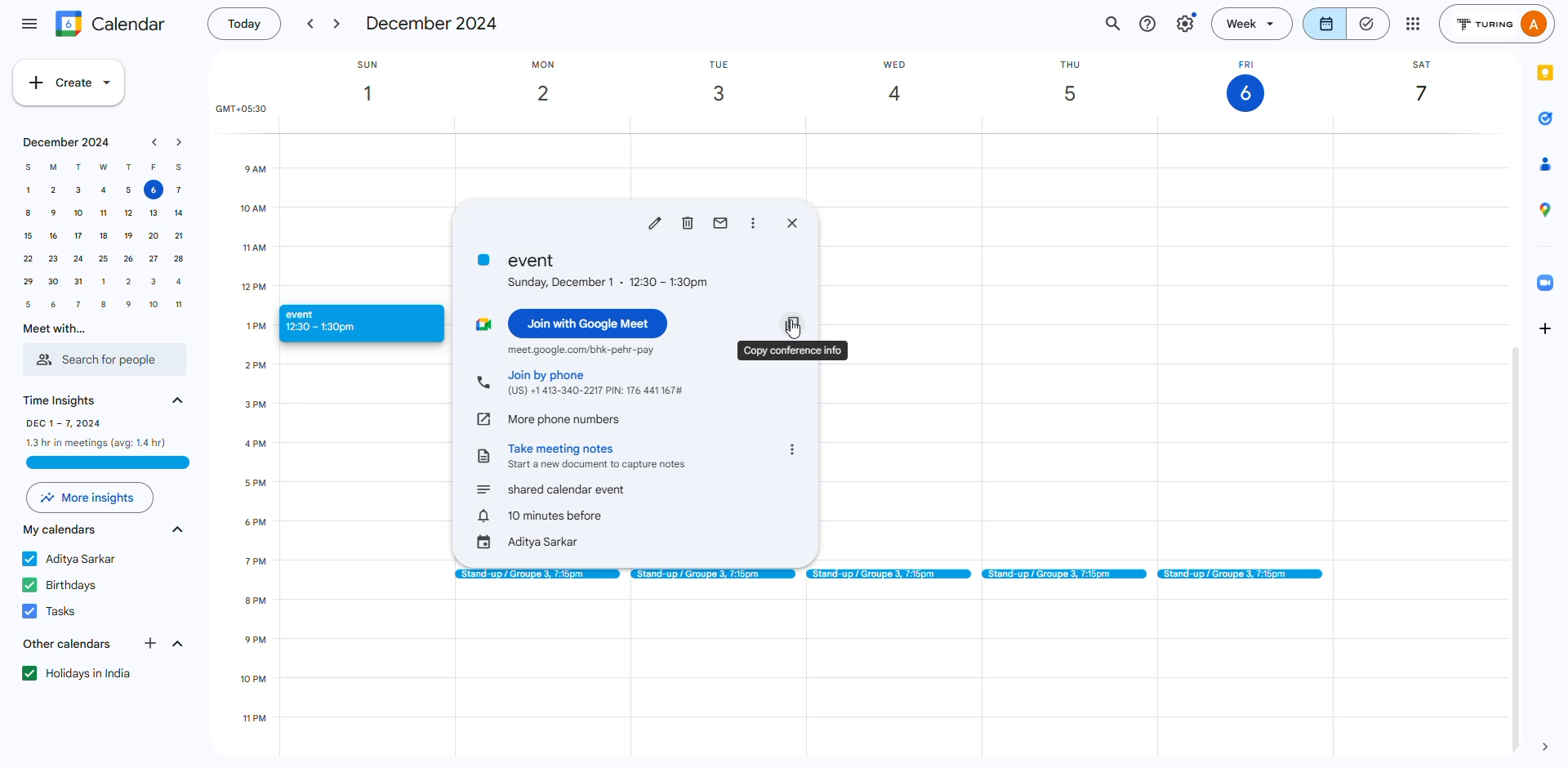  I want to click on 25, so click(103, 260).